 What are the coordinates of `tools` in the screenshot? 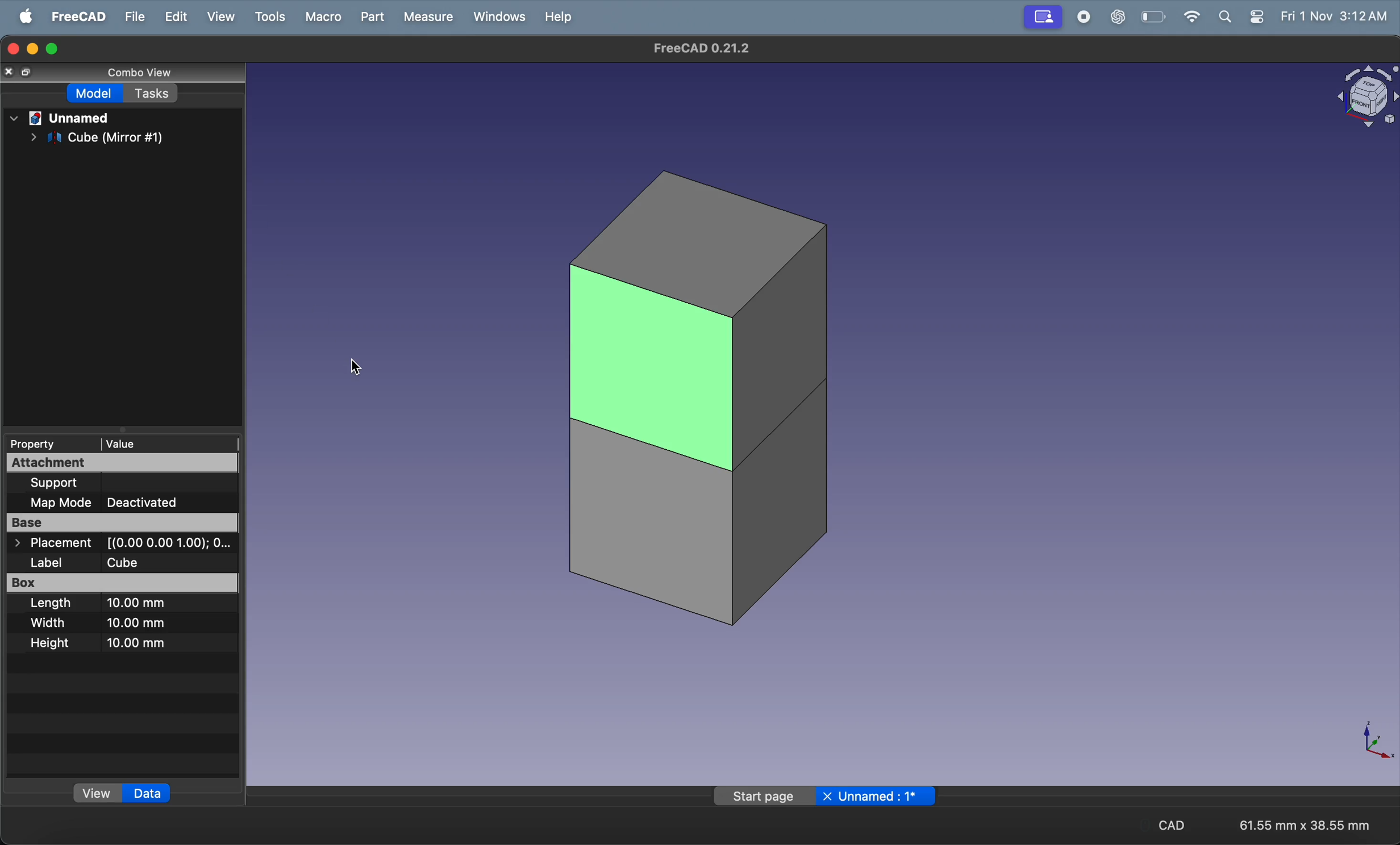 It's located at (269, 15).